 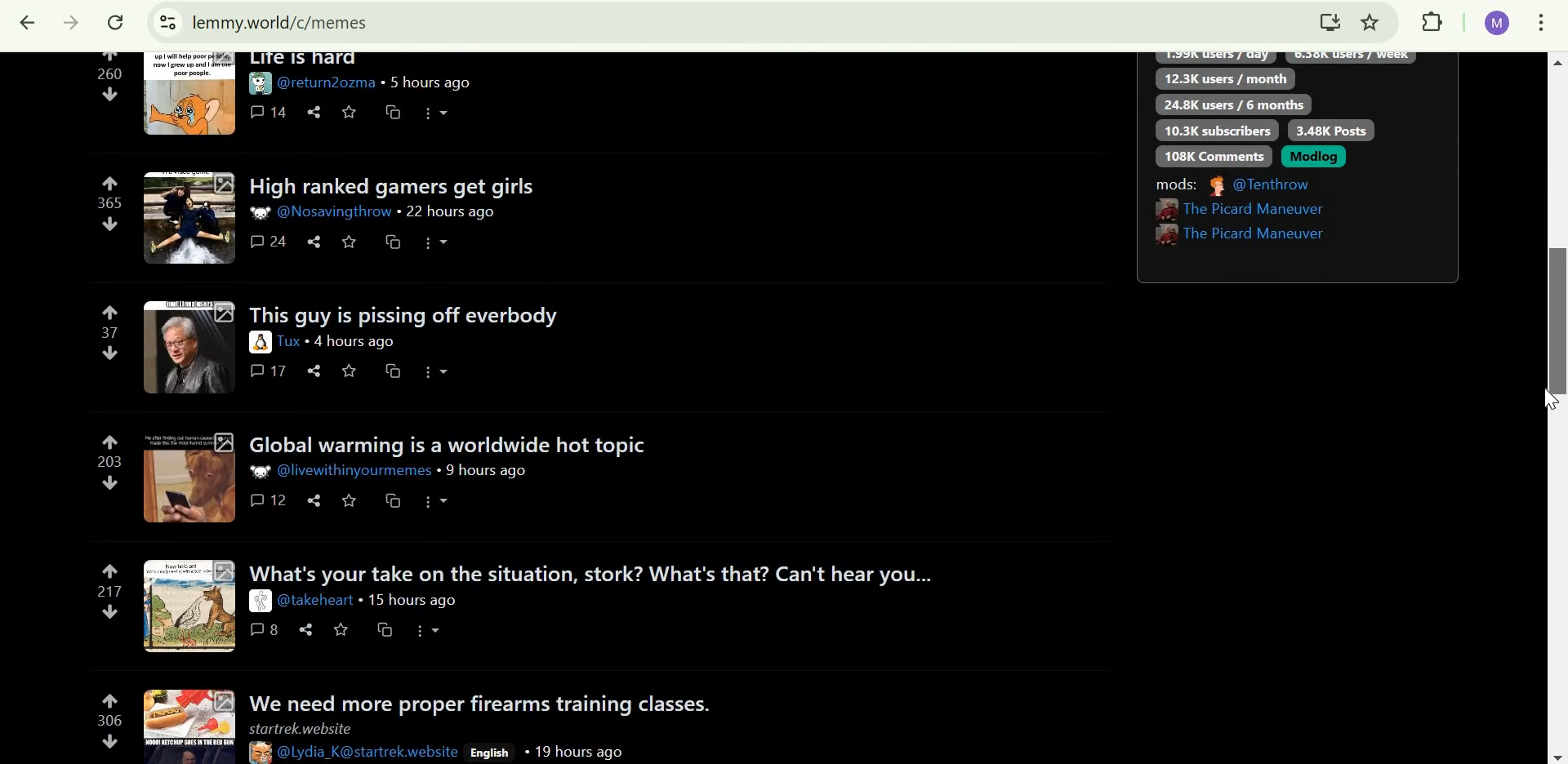 I want to click on extensions, so click(x=1434, y=24).